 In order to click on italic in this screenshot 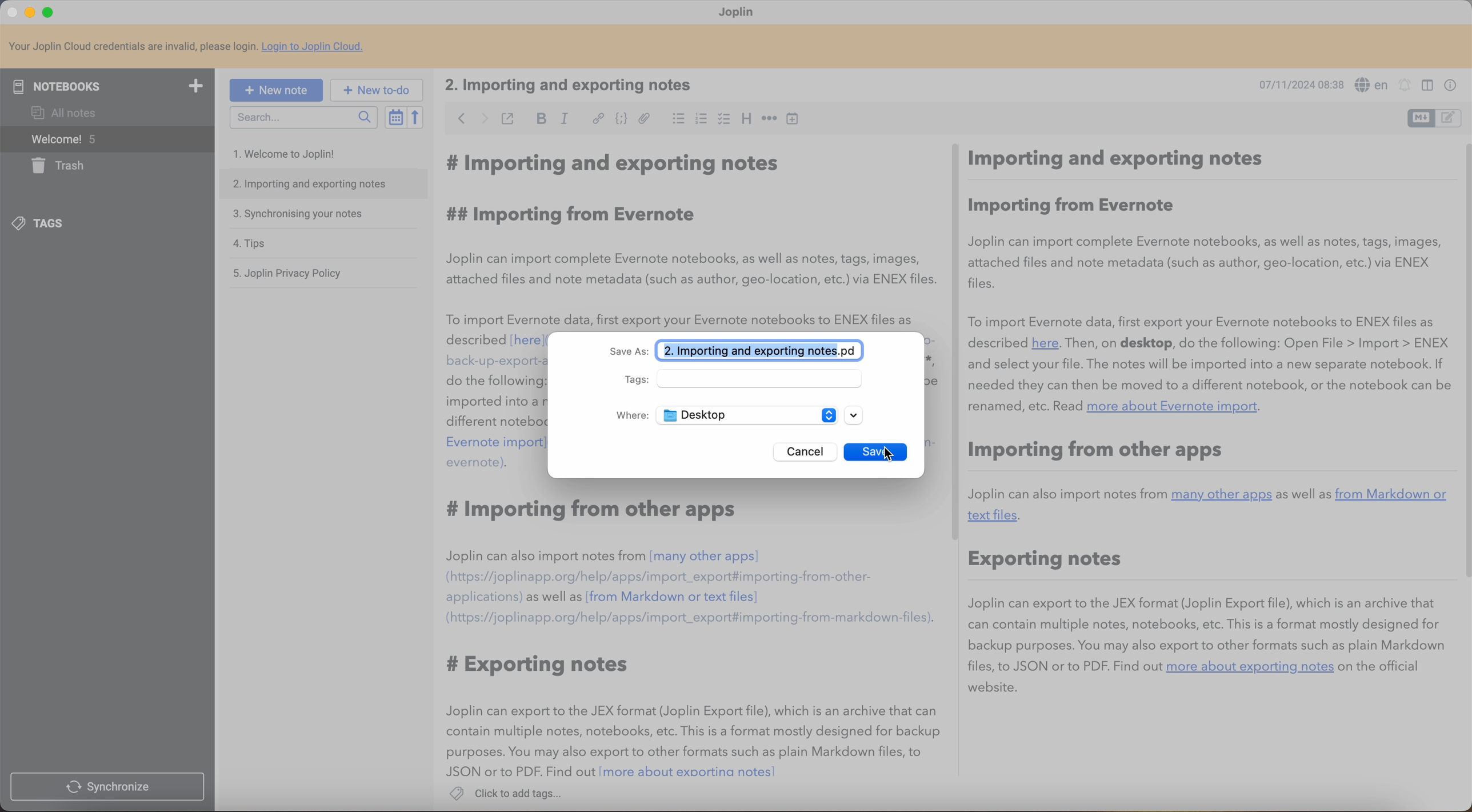, I will do `click(566, 119)`.